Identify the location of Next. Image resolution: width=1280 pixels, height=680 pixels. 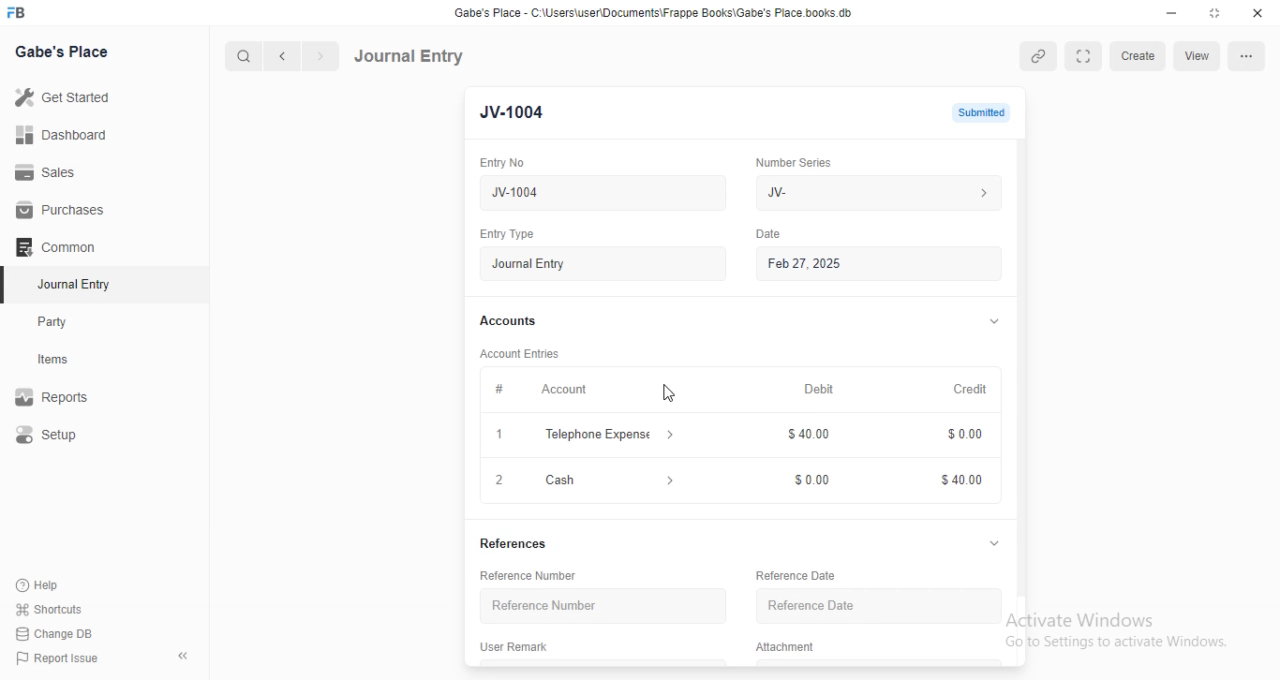
(319, 56).